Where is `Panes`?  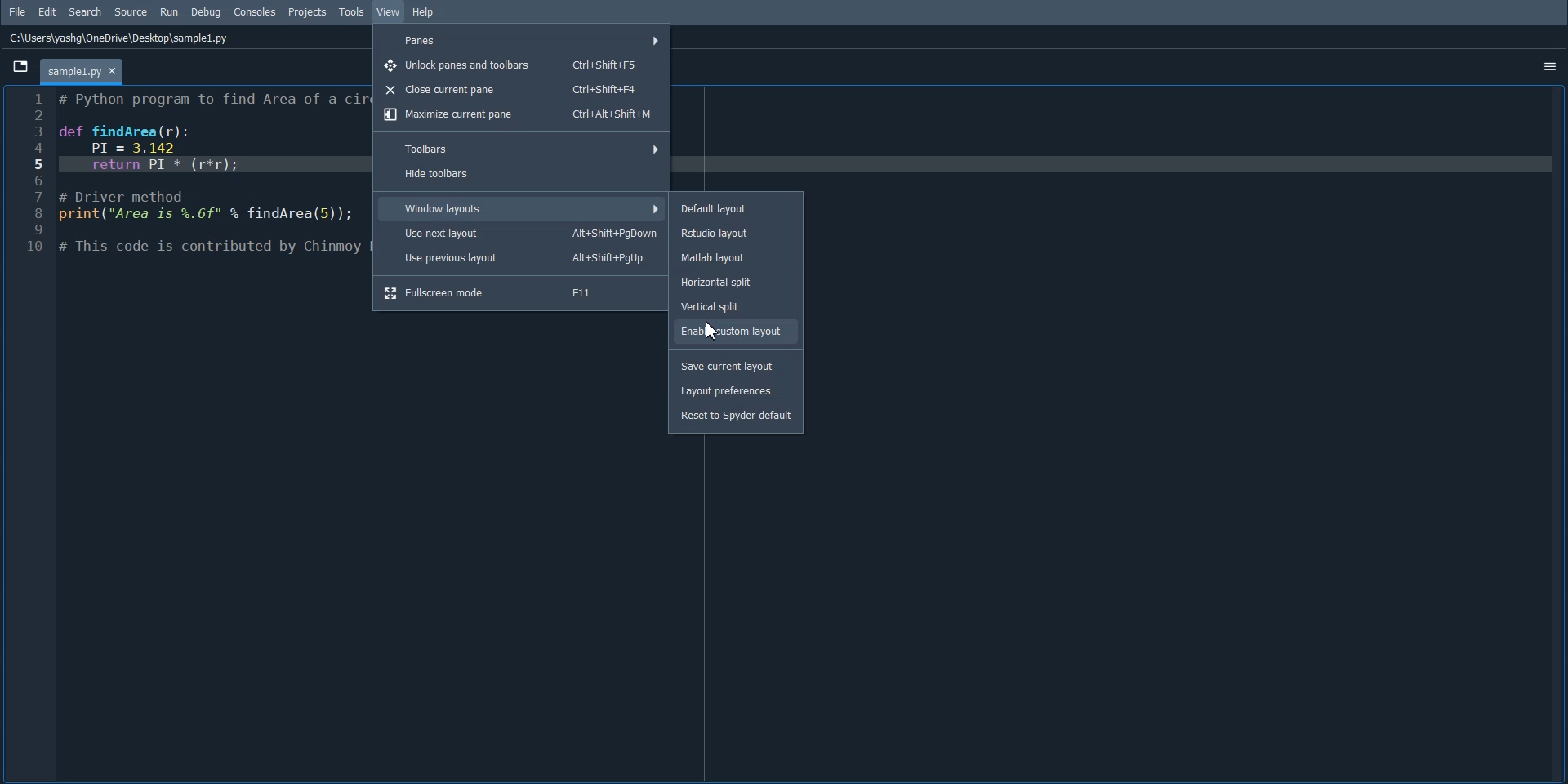
Panes is located at coordinates (520, 40).